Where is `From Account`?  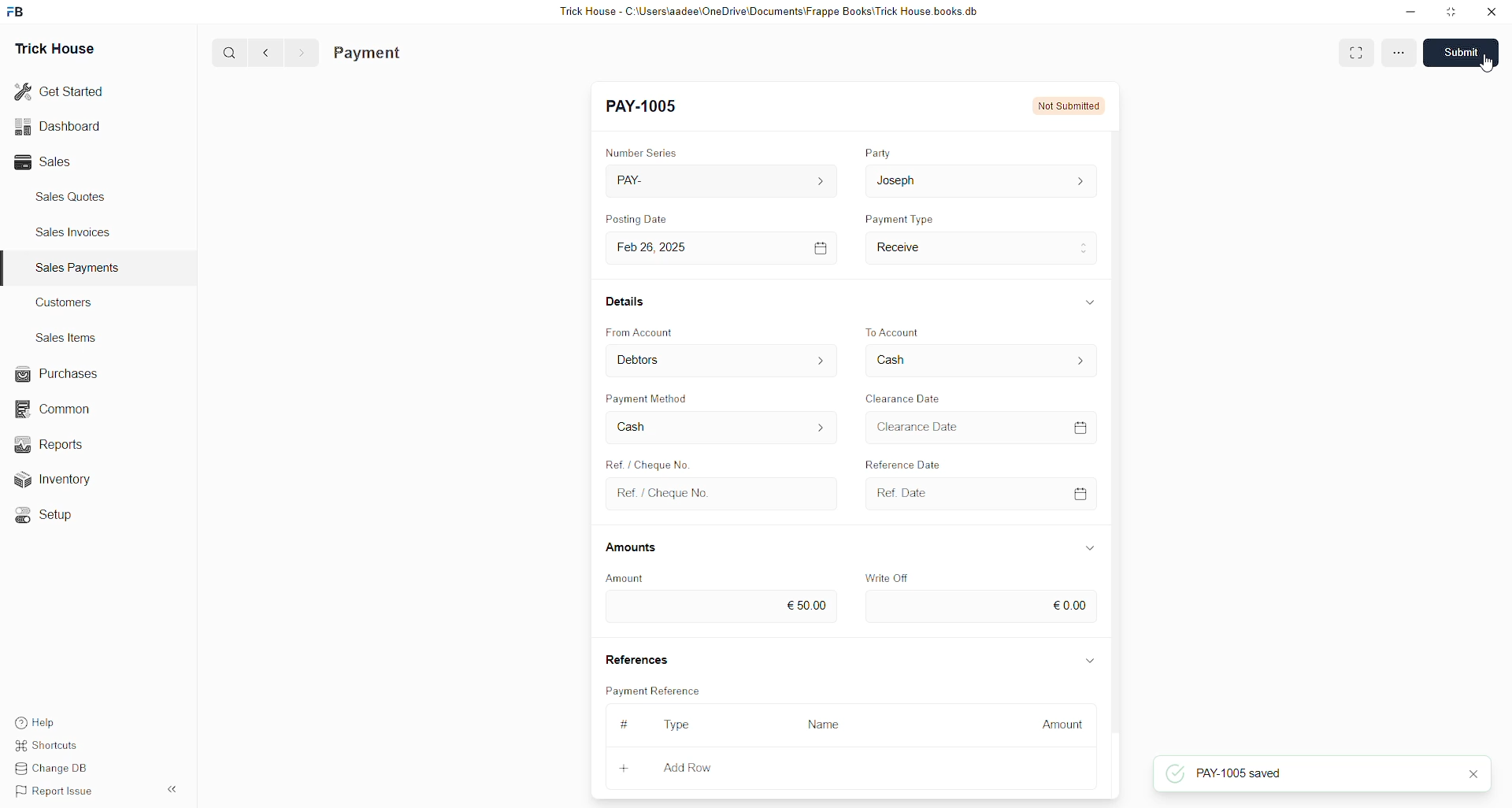 From Account is located at coordinates (723, 360).